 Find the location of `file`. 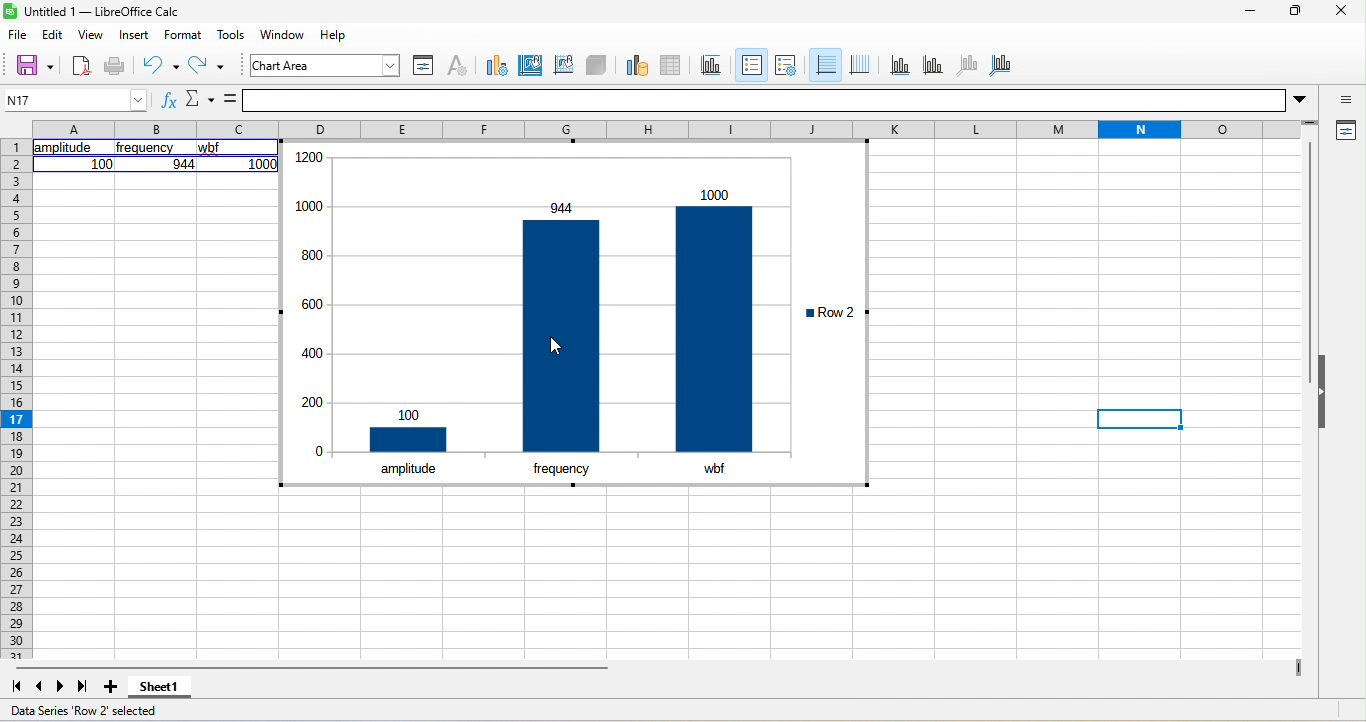

file is located at coordinates (21, 37).